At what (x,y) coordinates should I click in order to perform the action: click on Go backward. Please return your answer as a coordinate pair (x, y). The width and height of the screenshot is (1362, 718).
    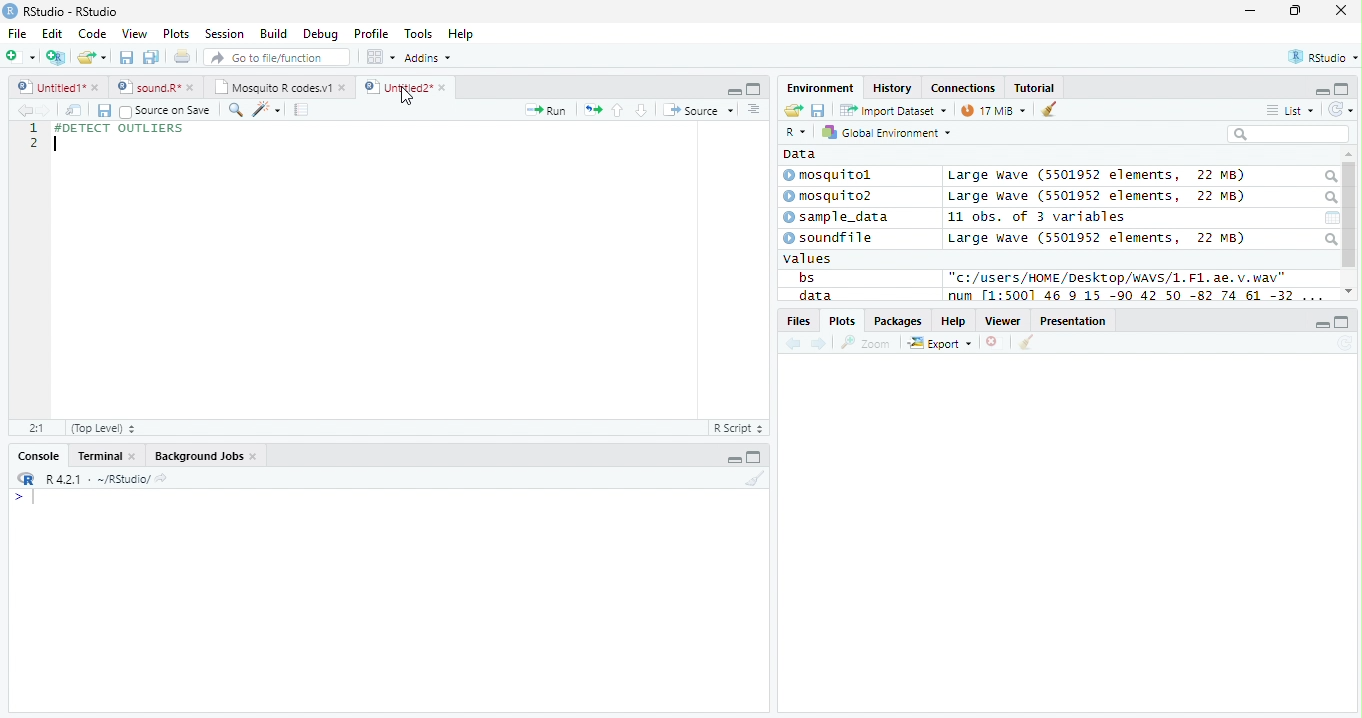
    Looking at the image, I should click on (24, 109).